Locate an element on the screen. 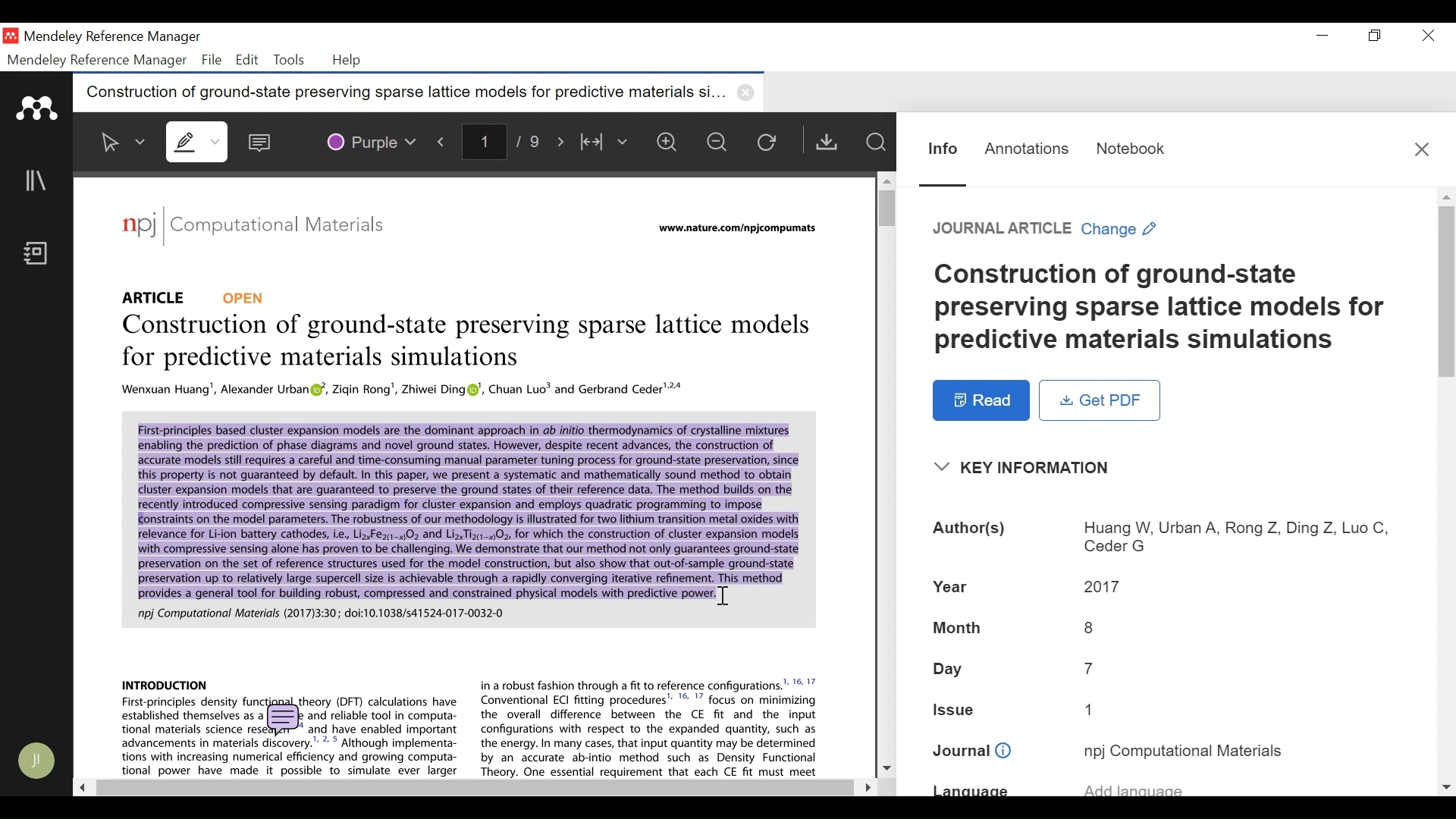 The height and width of the screenshot is (819, 1456). Previous Page is located at coordinates (444, 139).